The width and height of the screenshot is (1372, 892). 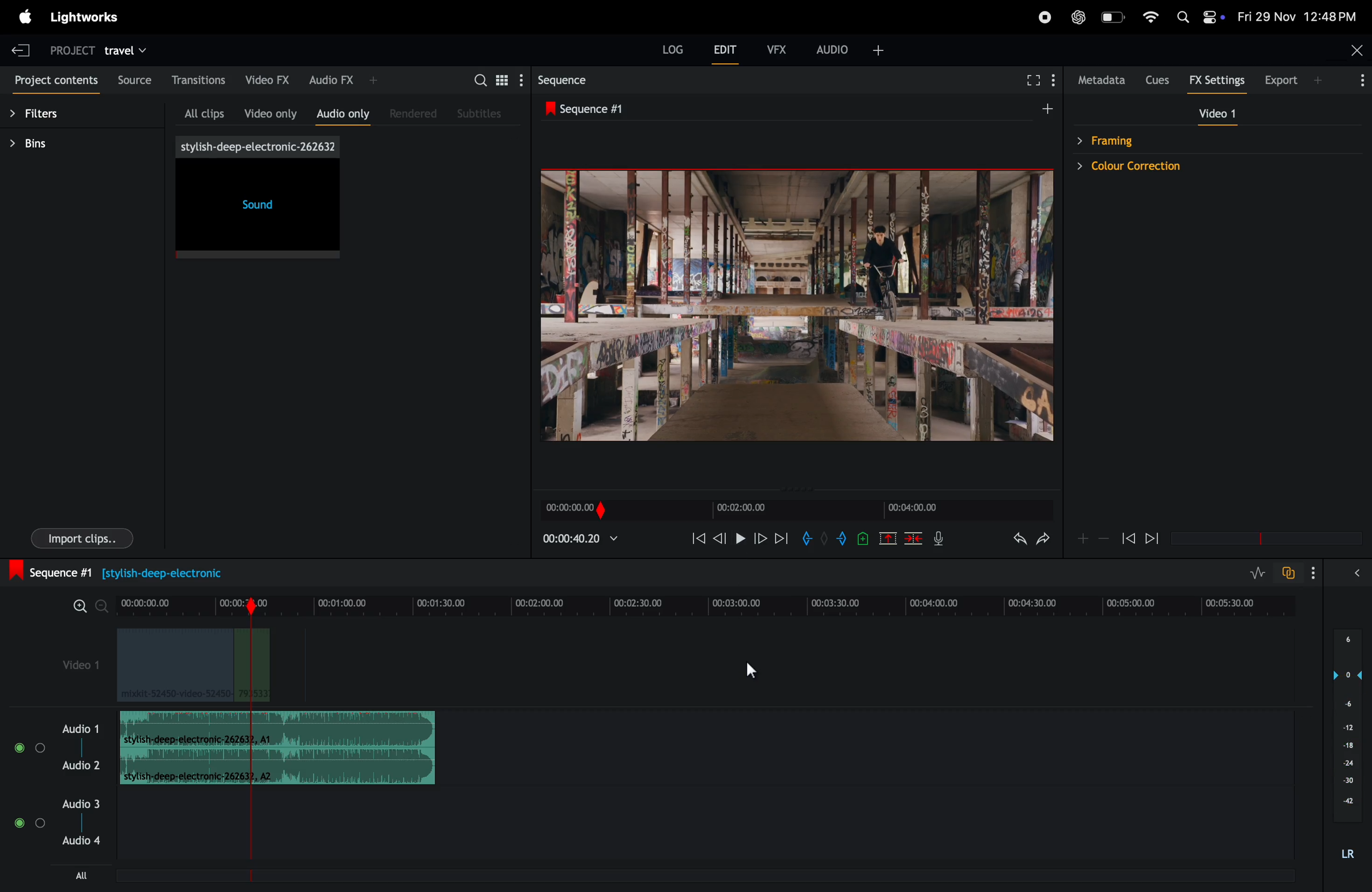 I want to click on export, so click(x=1294, y=79).